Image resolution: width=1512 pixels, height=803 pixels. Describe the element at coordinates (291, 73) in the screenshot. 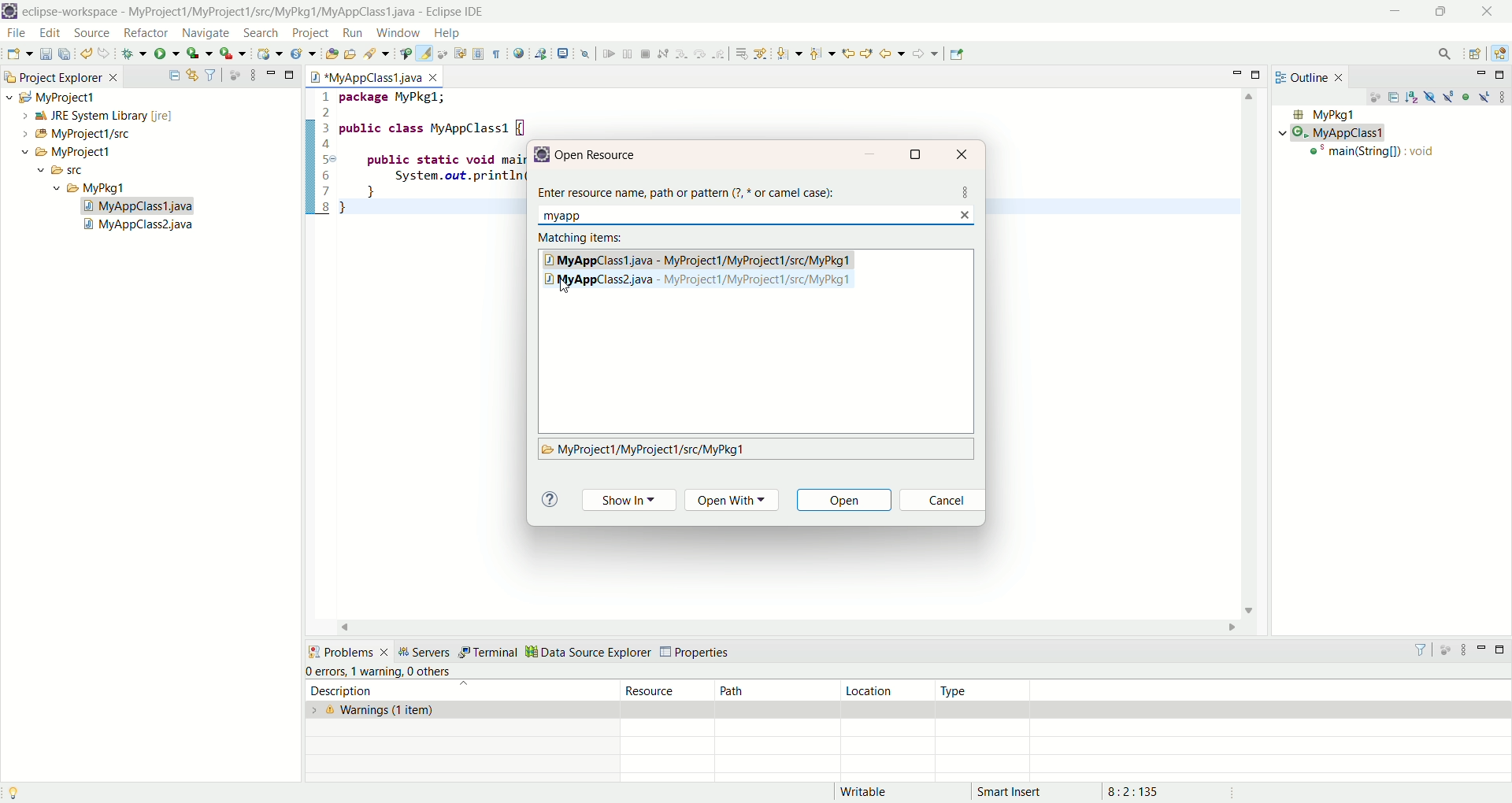

I see `maximize` at that location.